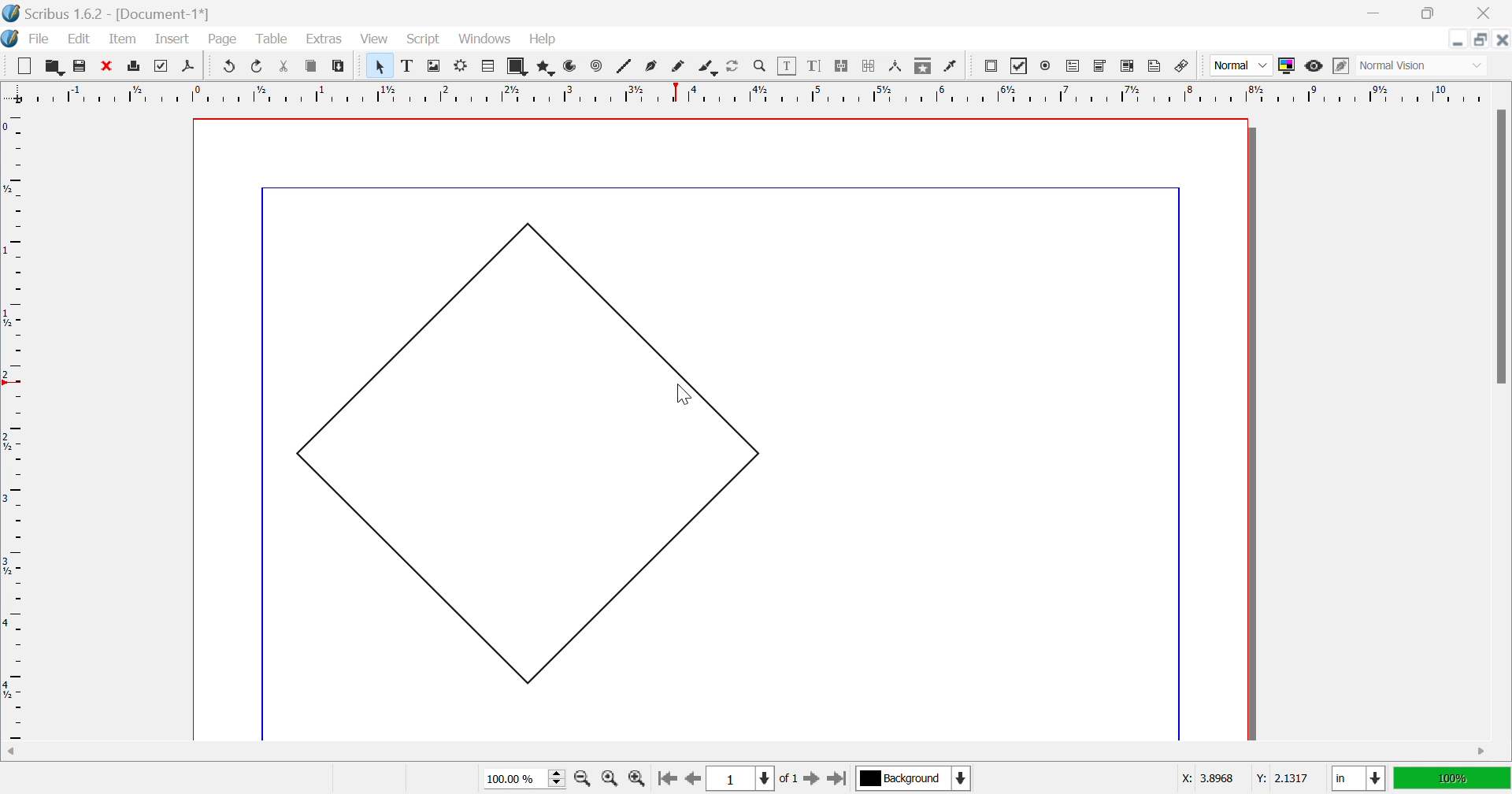  Describe the element at coordinates (547, 68) in the screenshot. I see `Polygon` at that location.